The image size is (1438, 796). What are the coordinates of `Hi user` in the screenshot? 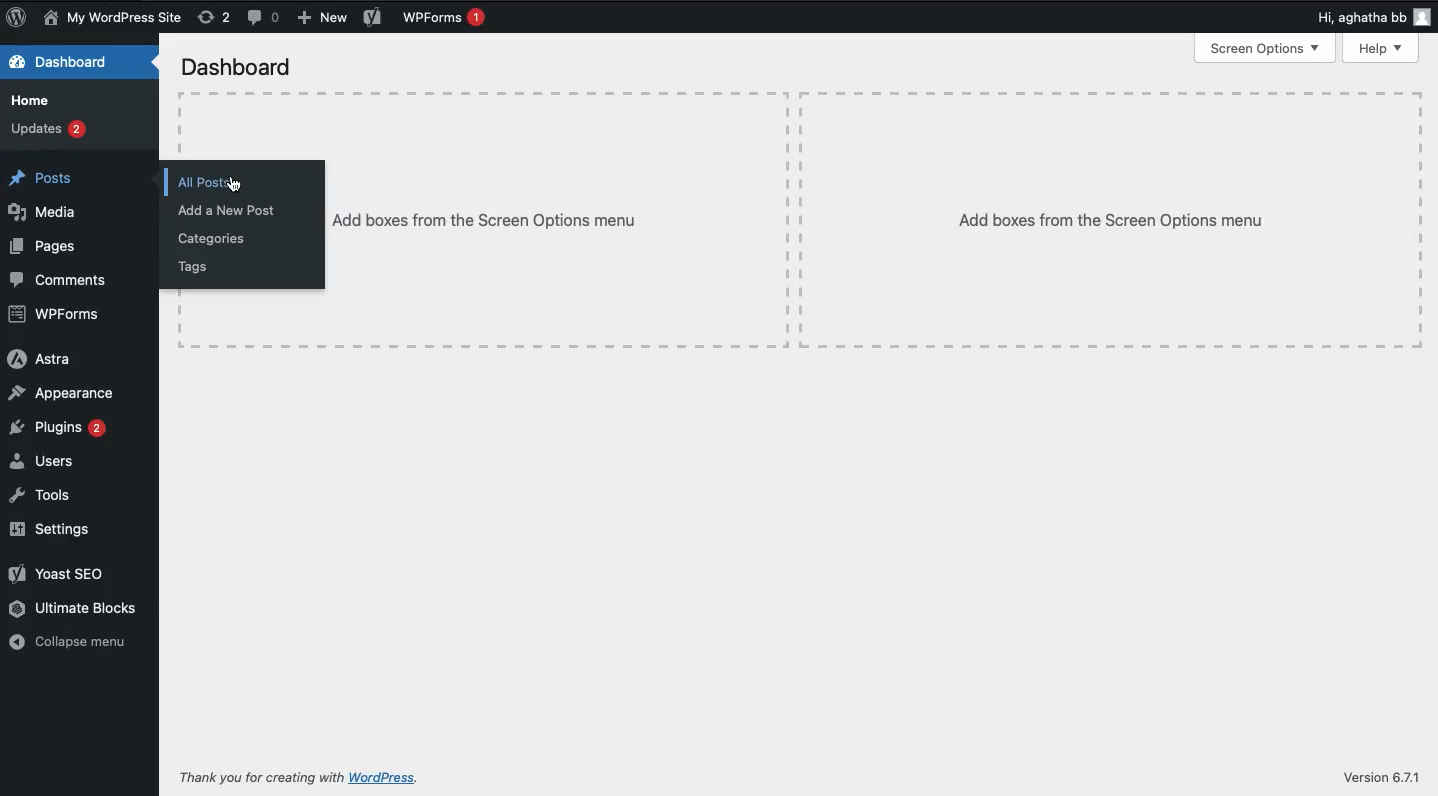 It's located at (1371, 15).